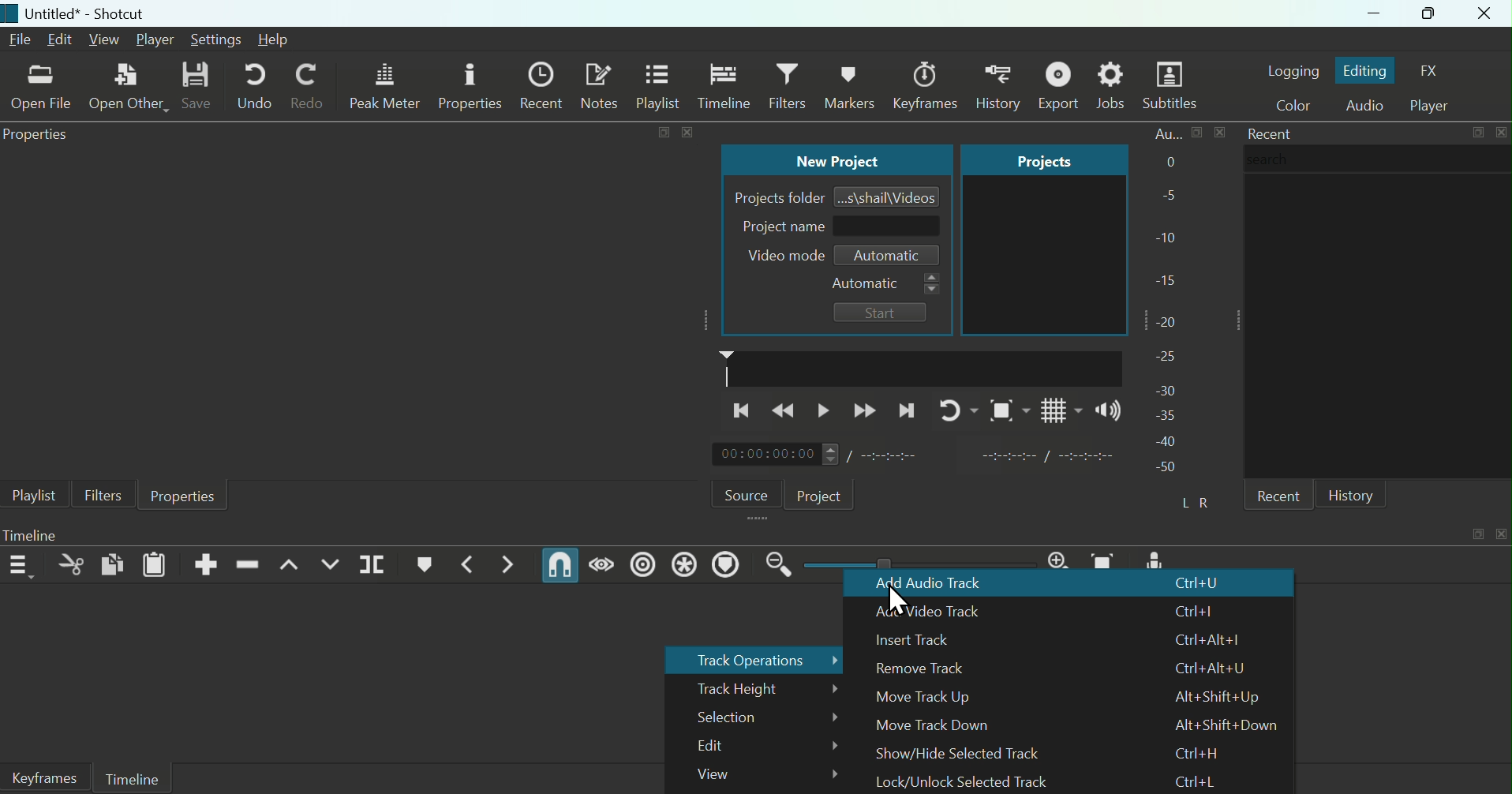 This screenshot has height=794, width=1512. Describe the element at coordinates (1166, 197) in the screenshot. I see `-5` at that location.